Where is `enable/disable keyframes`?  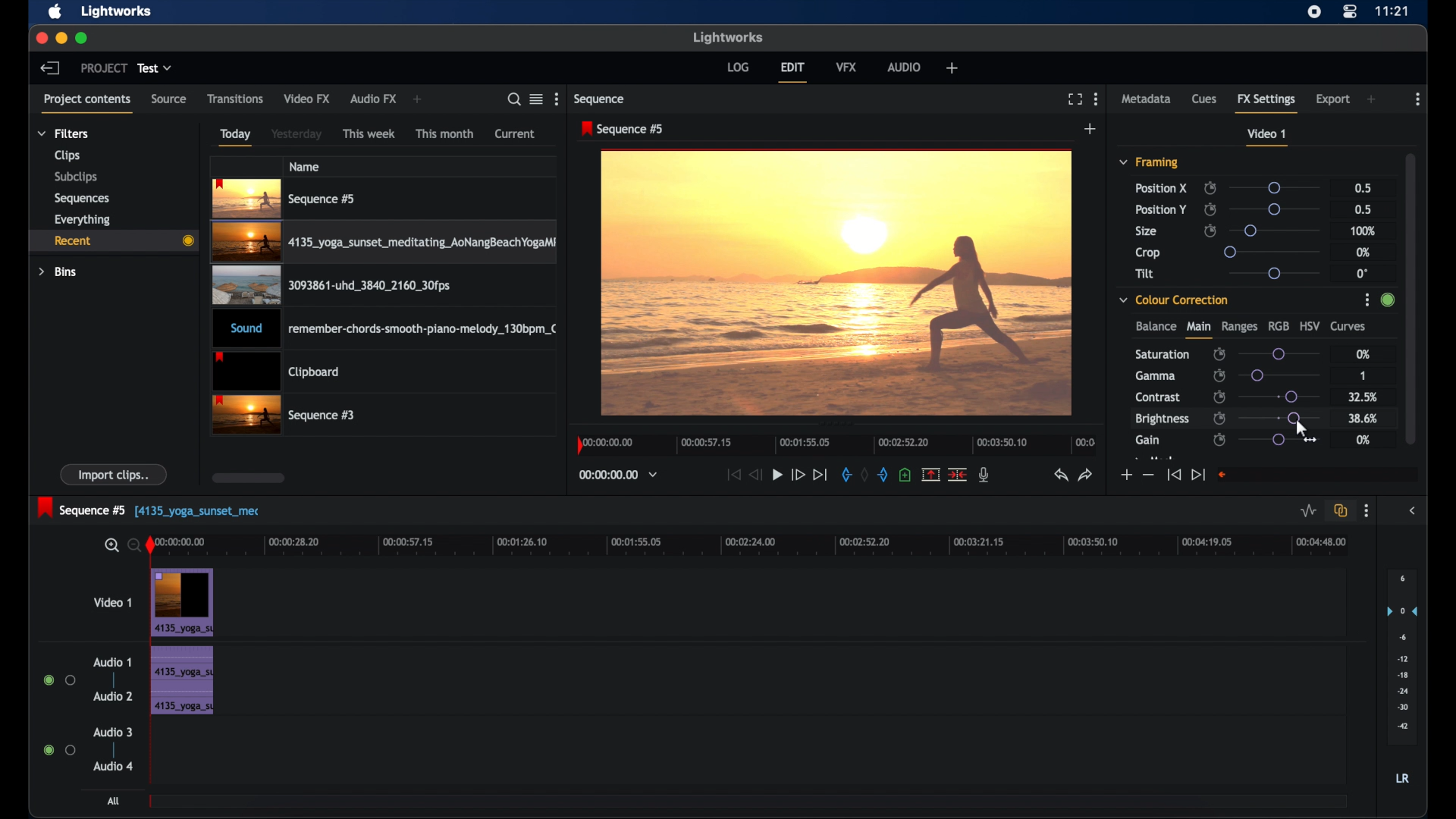 enable/disable keyframes is located at coordinates (1210, 188).